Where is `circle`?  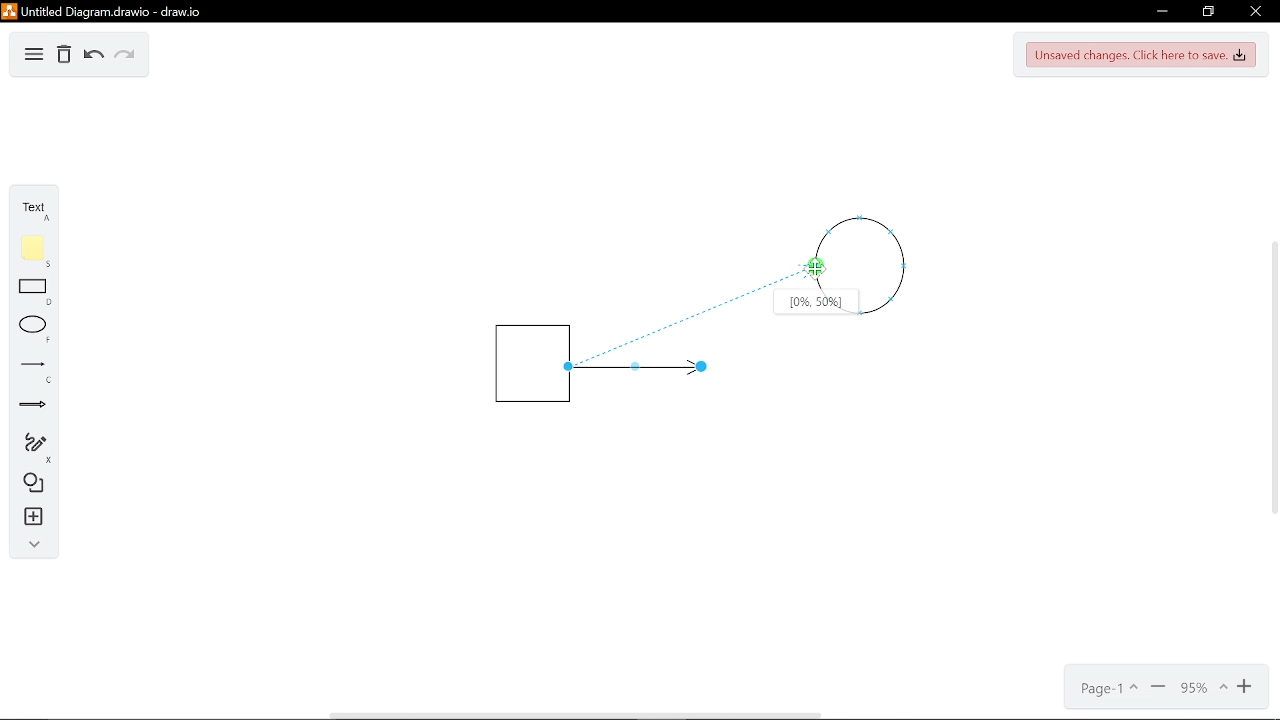
circle is located at coordinates (847, 233).